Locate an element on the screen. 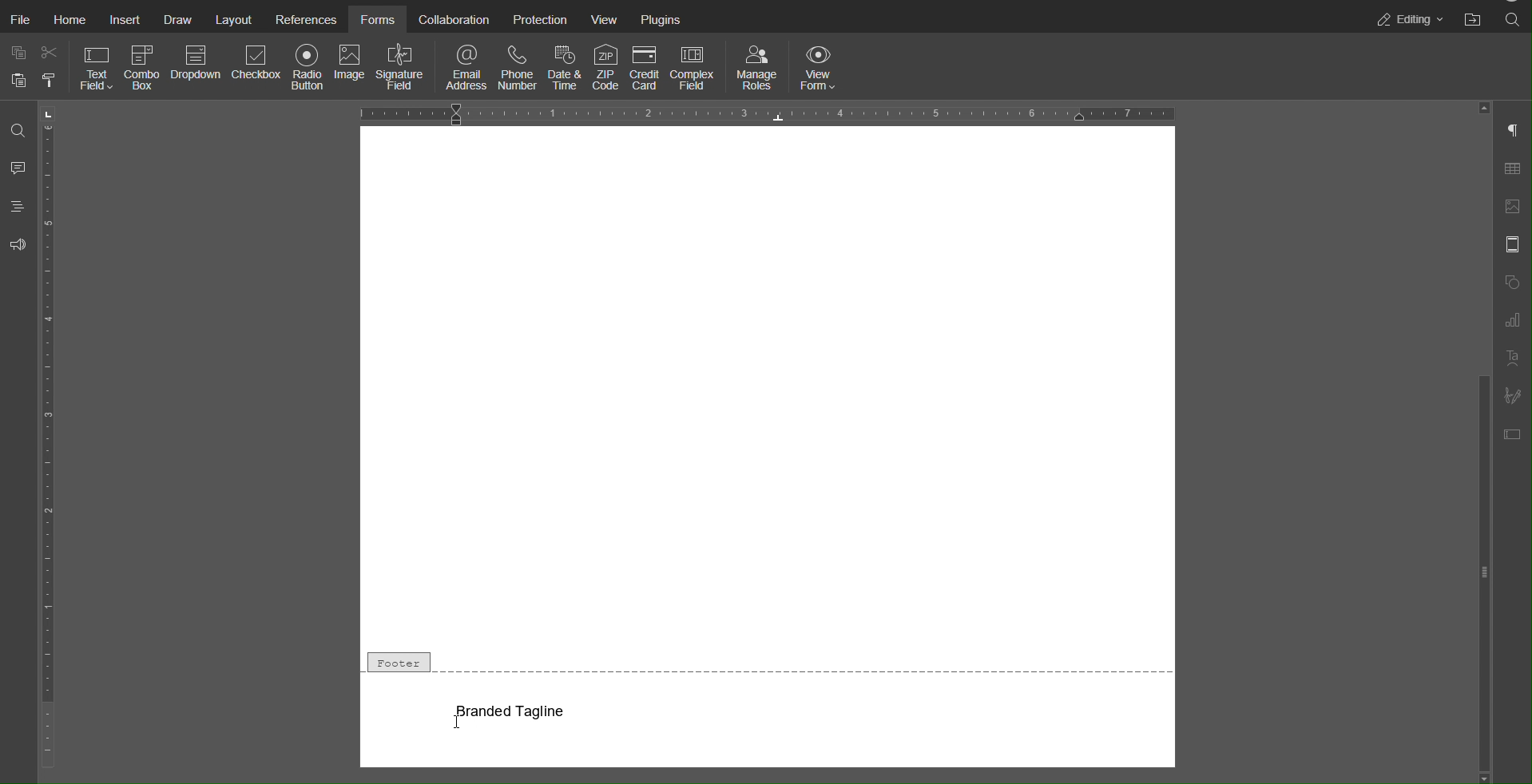 The image size is (1532, 784). ZIP Code is located at coordinates (605, 67).